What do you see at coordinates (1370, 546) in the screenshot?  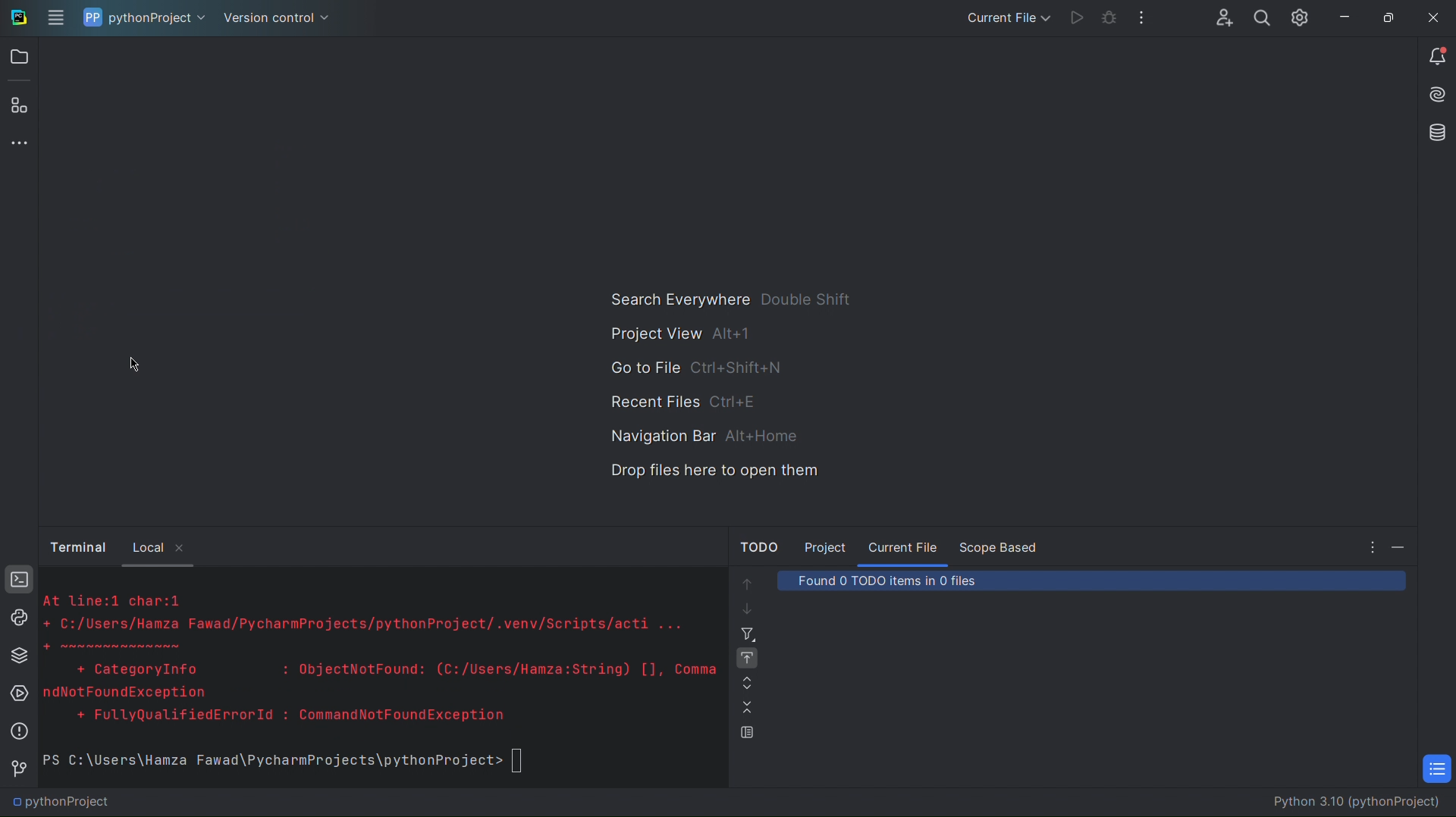 I see `more` at bounding box center [1370, 546].